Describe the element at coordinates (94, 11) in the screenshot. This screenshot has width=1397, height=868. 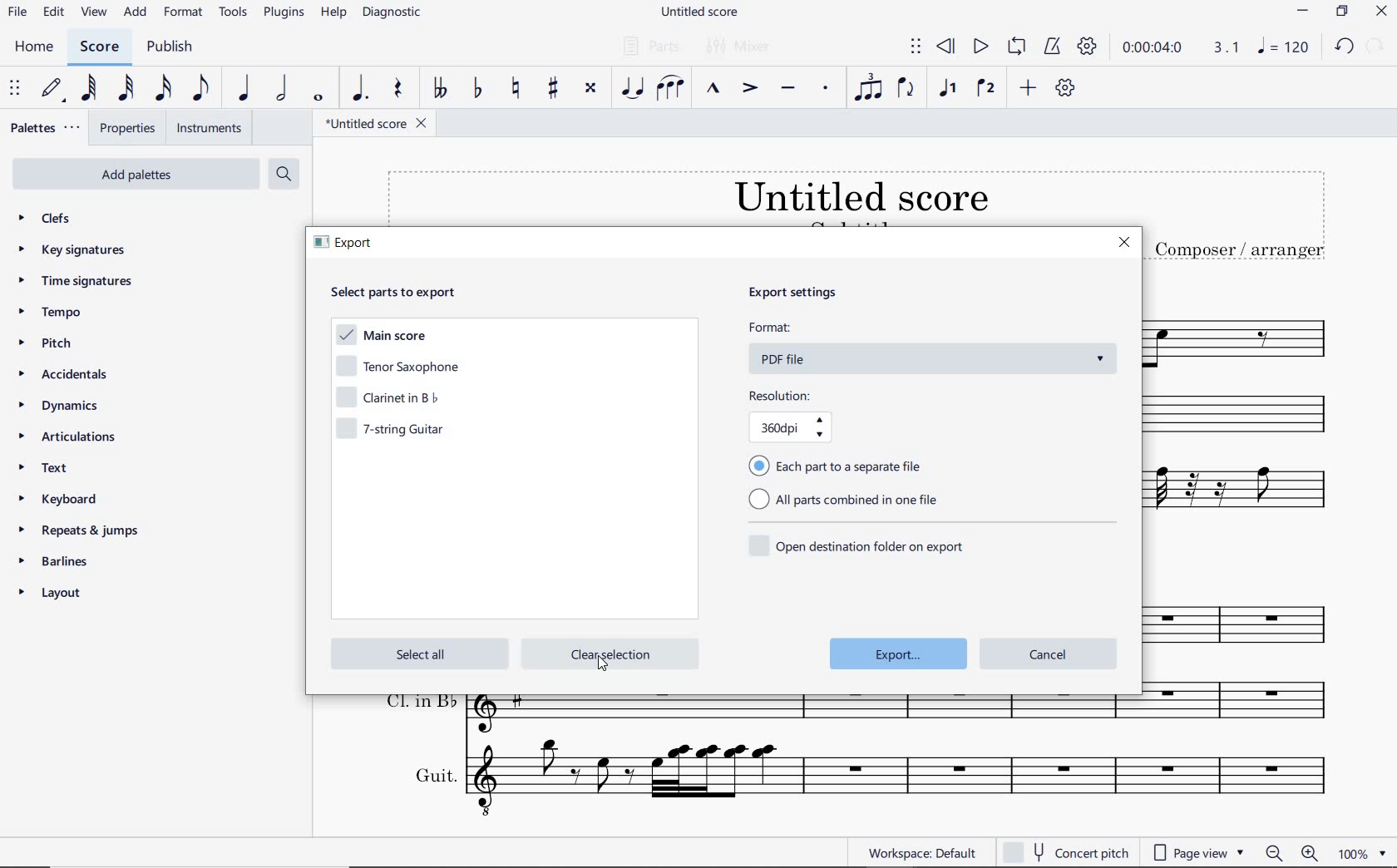
I see `VIEW` at that location.